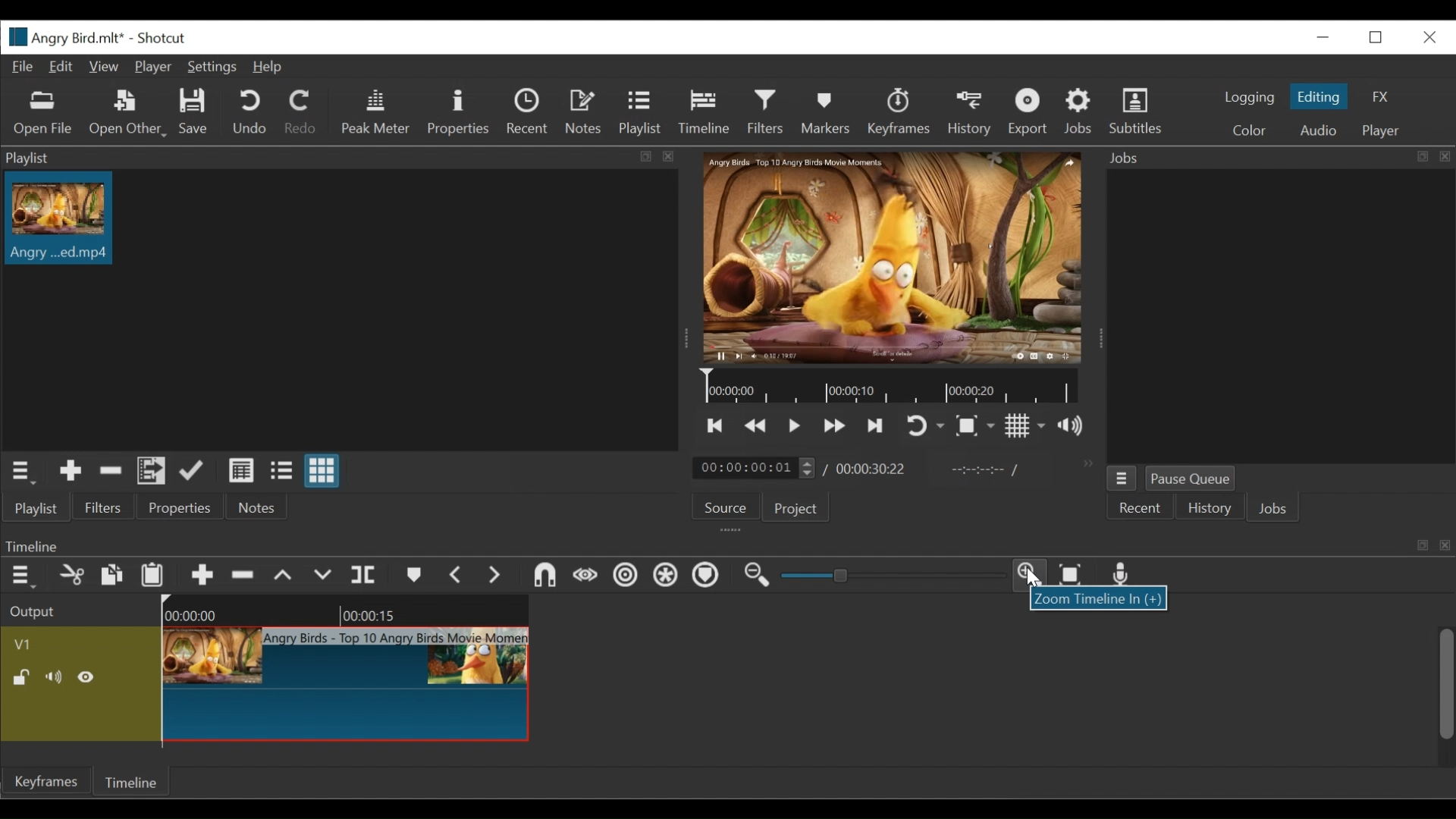  What do you see at coordinates (586, 576) in the screenshot?
I see `Scrub while dragging` at bounding box center [586, 576].